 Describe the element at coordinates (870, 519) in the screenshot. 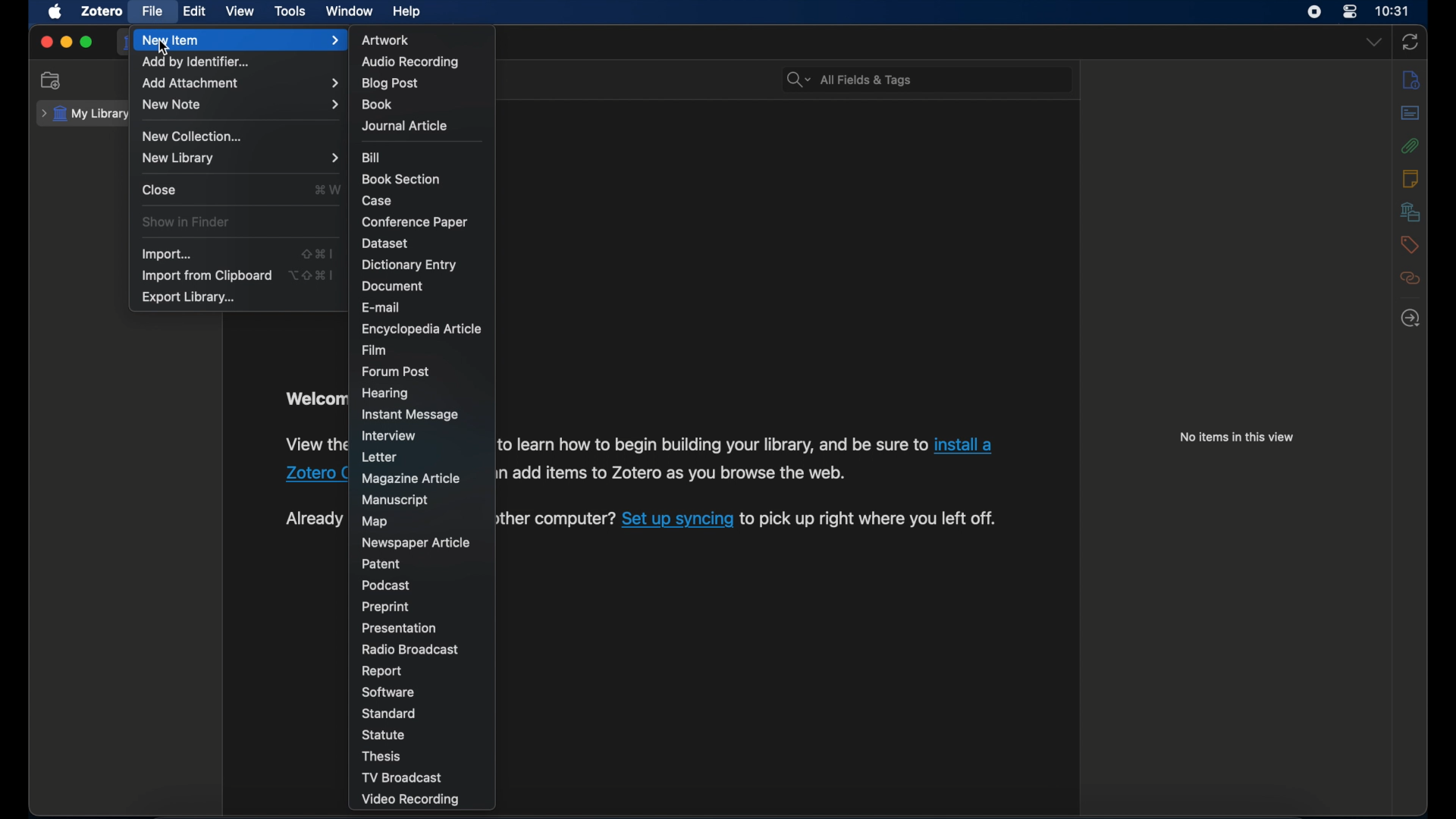

I see `text` at that location.